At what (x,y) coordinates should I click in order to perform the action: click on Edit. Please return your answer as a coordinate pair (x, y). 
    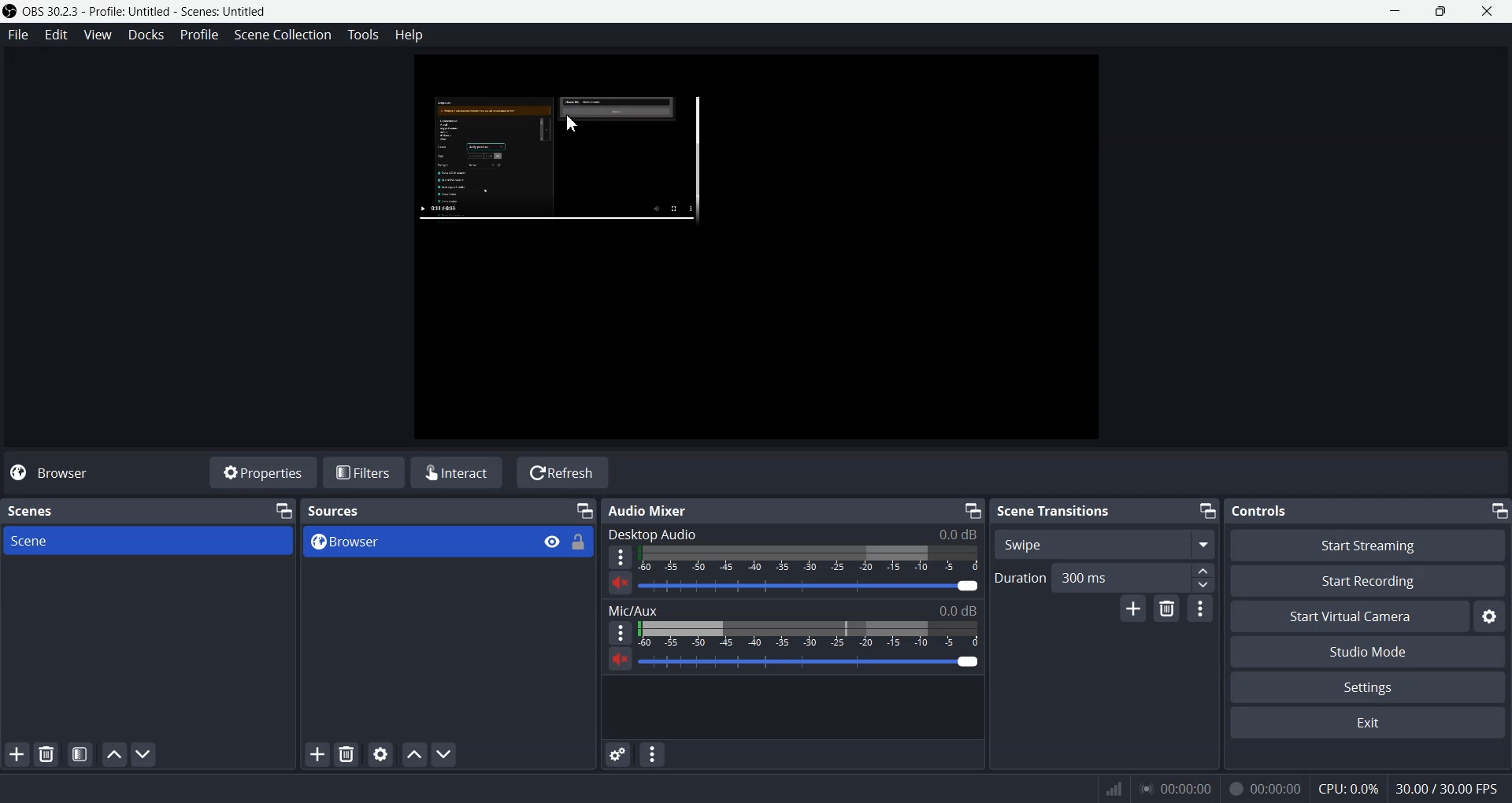
    Looking at the image, I should click on (57, 34).